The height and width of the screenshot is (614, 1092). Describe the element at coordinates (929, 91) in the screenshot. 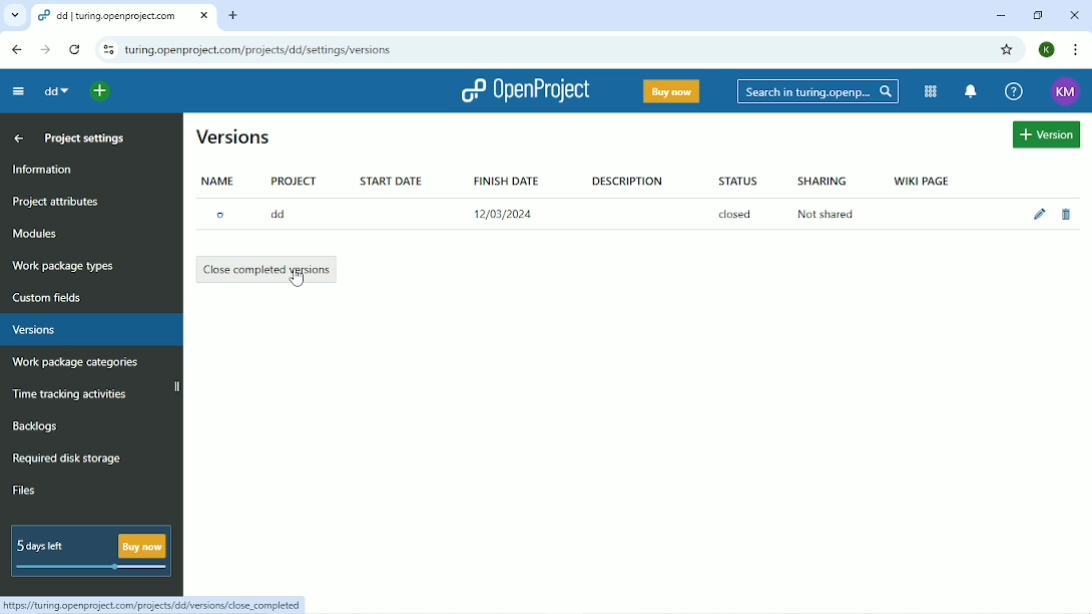

I see `modules` at that location.